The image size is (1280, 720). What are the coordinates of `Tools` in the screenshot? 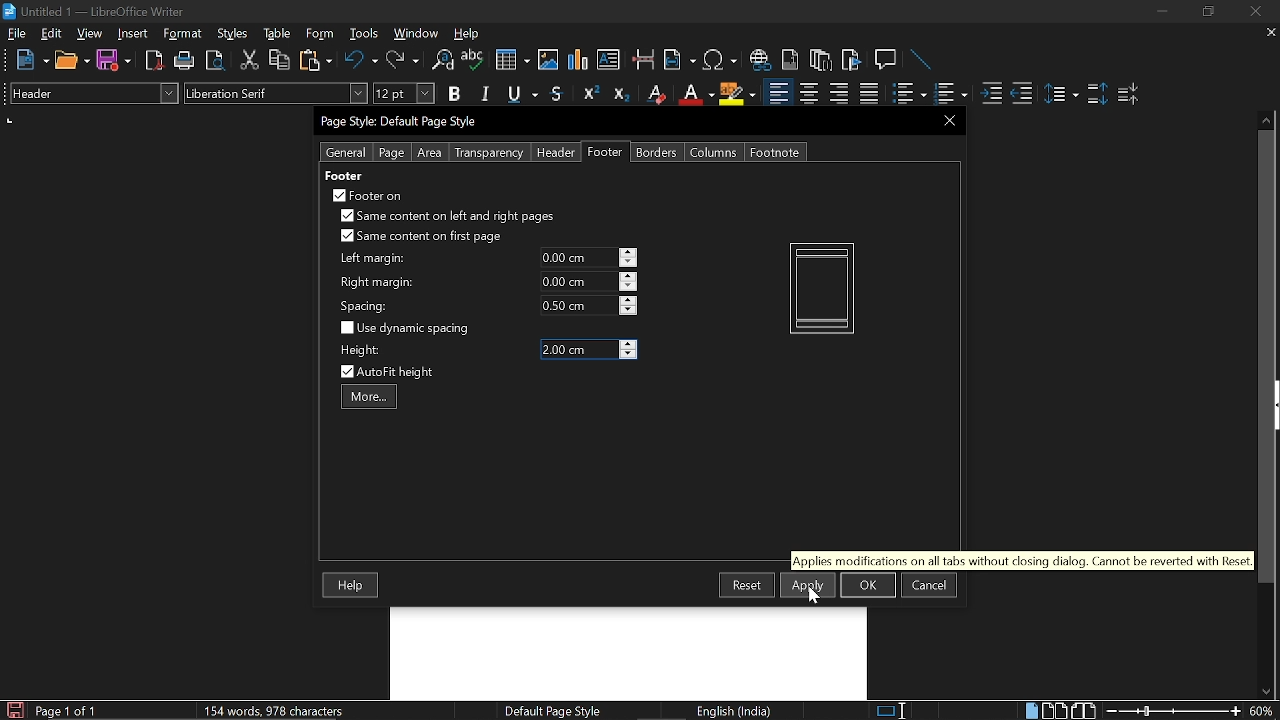 It's located at (364, 34).